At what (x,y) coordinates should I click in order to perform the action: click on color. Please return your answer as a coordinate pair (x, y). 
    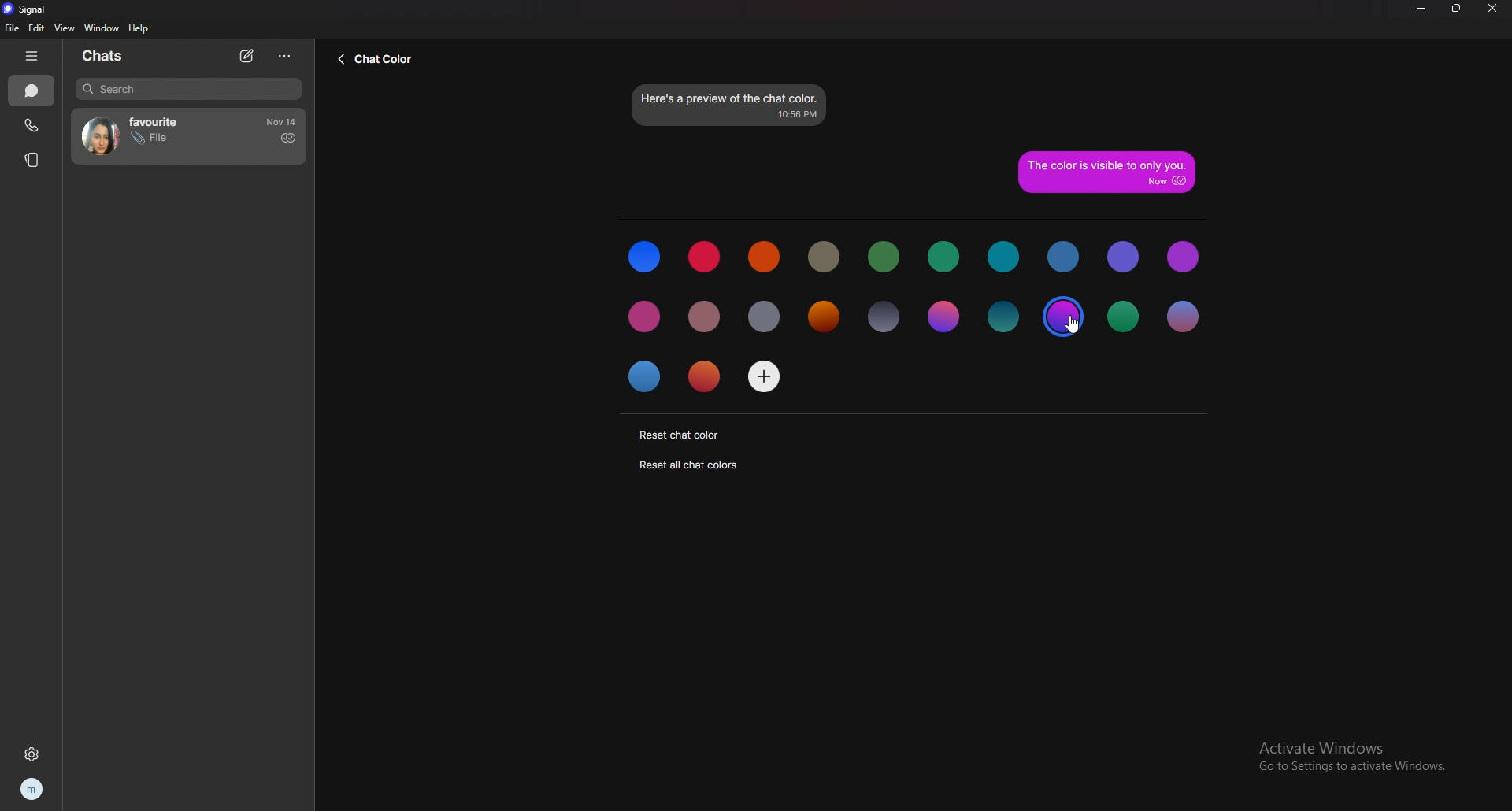
    Looking at the image, I should click on (1125, 318).